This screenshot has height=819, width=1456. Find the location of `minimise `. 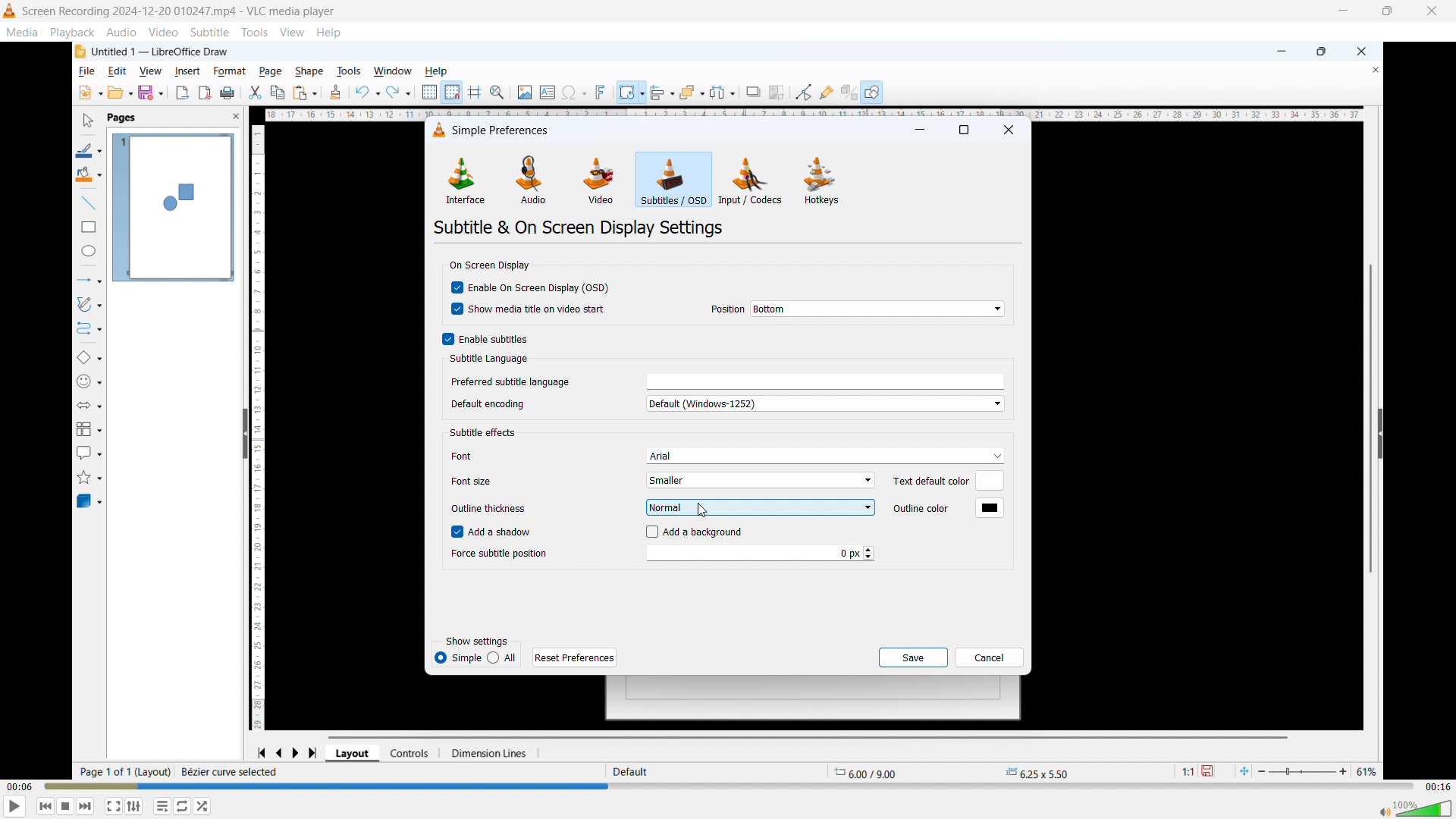

minimise  is located at coordinates (1341, 12).